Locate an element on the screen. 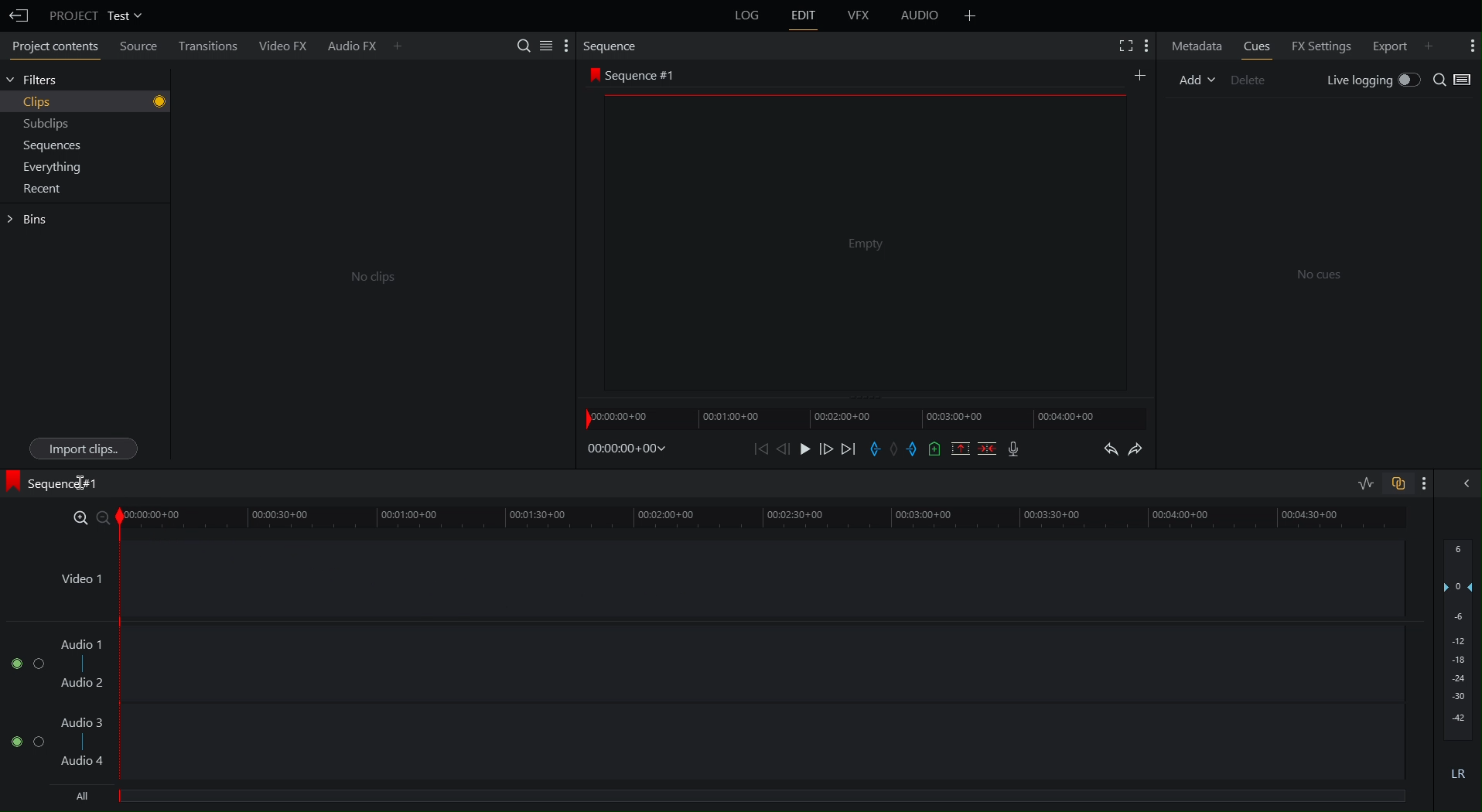 The height and width of the screenshot is (812, 1482). Add is located at coordinates (1142, 76).